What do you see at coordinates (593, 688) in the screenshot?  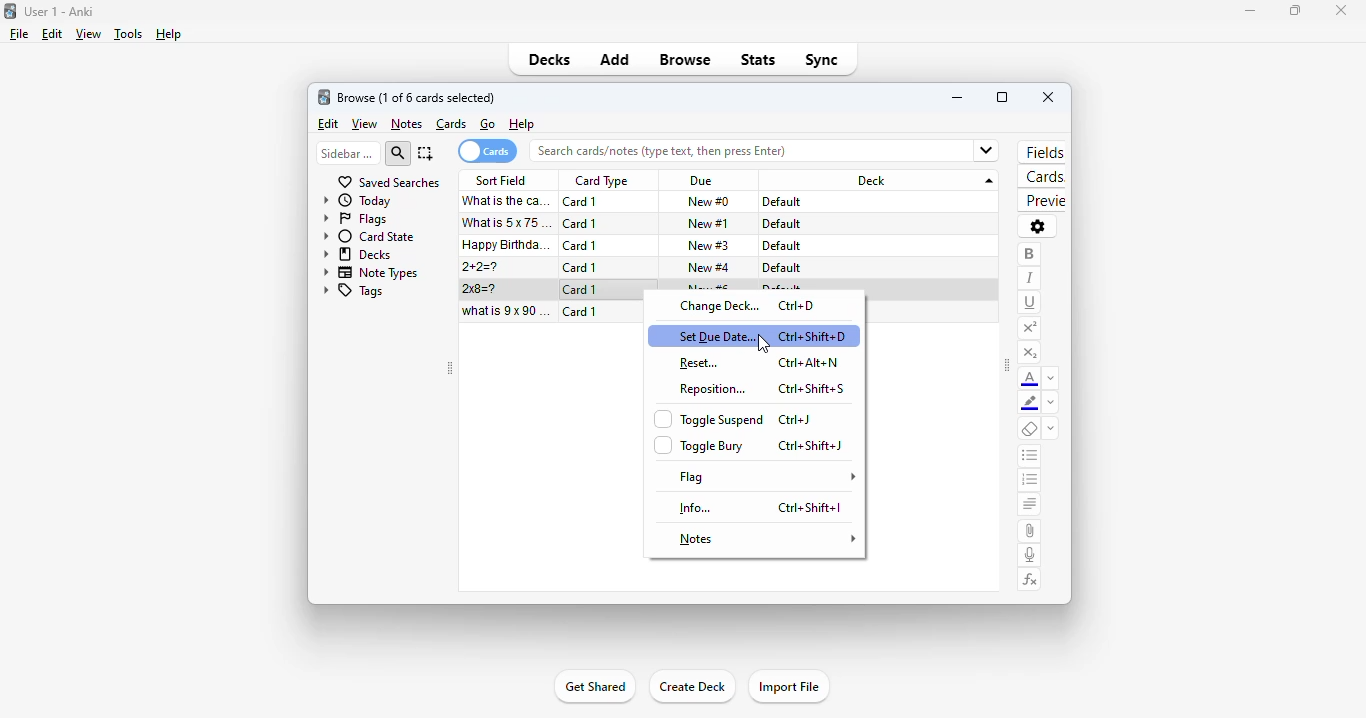 I see `get shared` at bounding box center [593, 688].